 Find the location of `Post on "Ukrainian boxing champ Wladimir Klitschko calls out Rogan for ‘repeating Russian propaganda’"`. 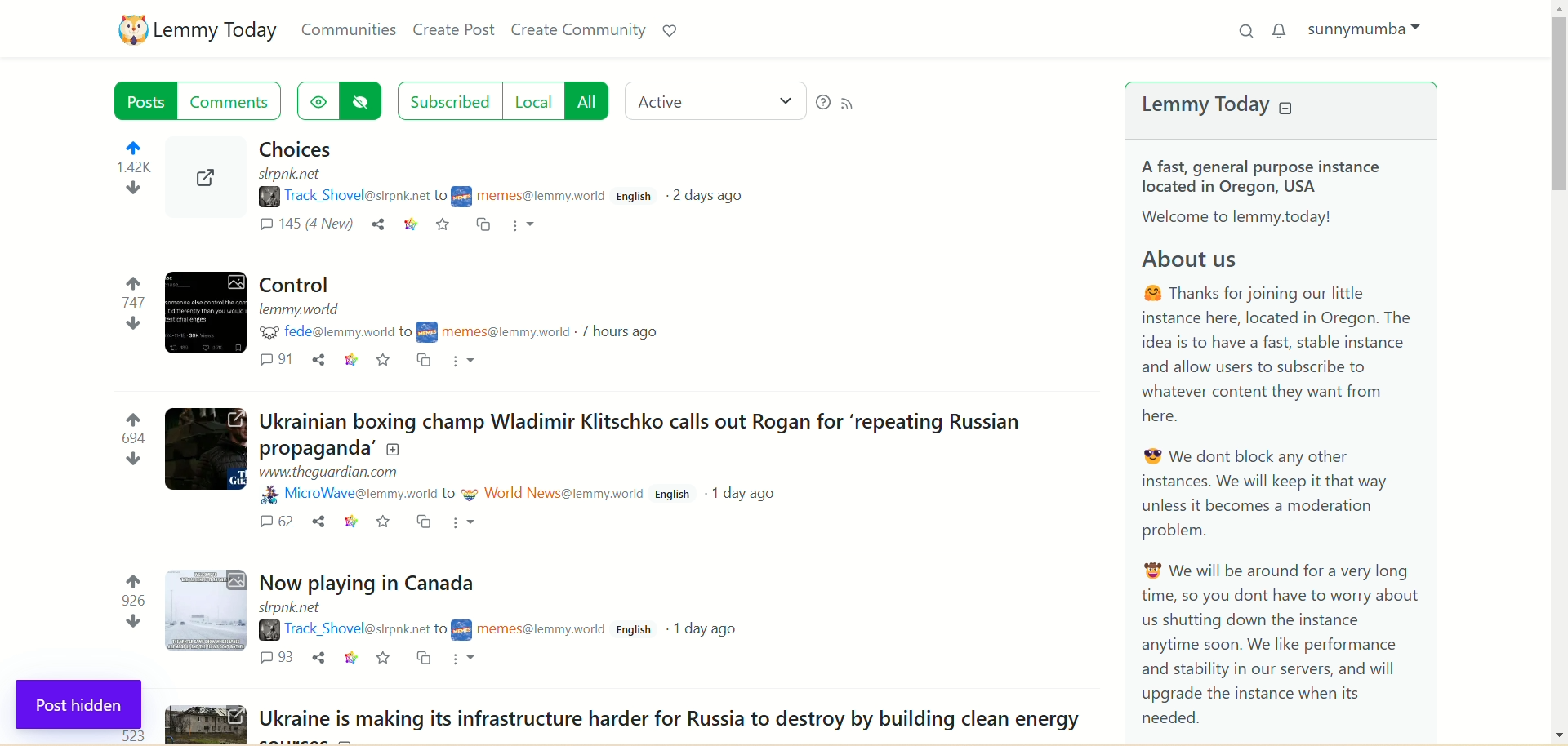

Post on "Ukrainian boxing champ Wladimir Klitschko calls out Rogan for ‘repeating Russian propaganda’" is located at coordinates (649, 431).